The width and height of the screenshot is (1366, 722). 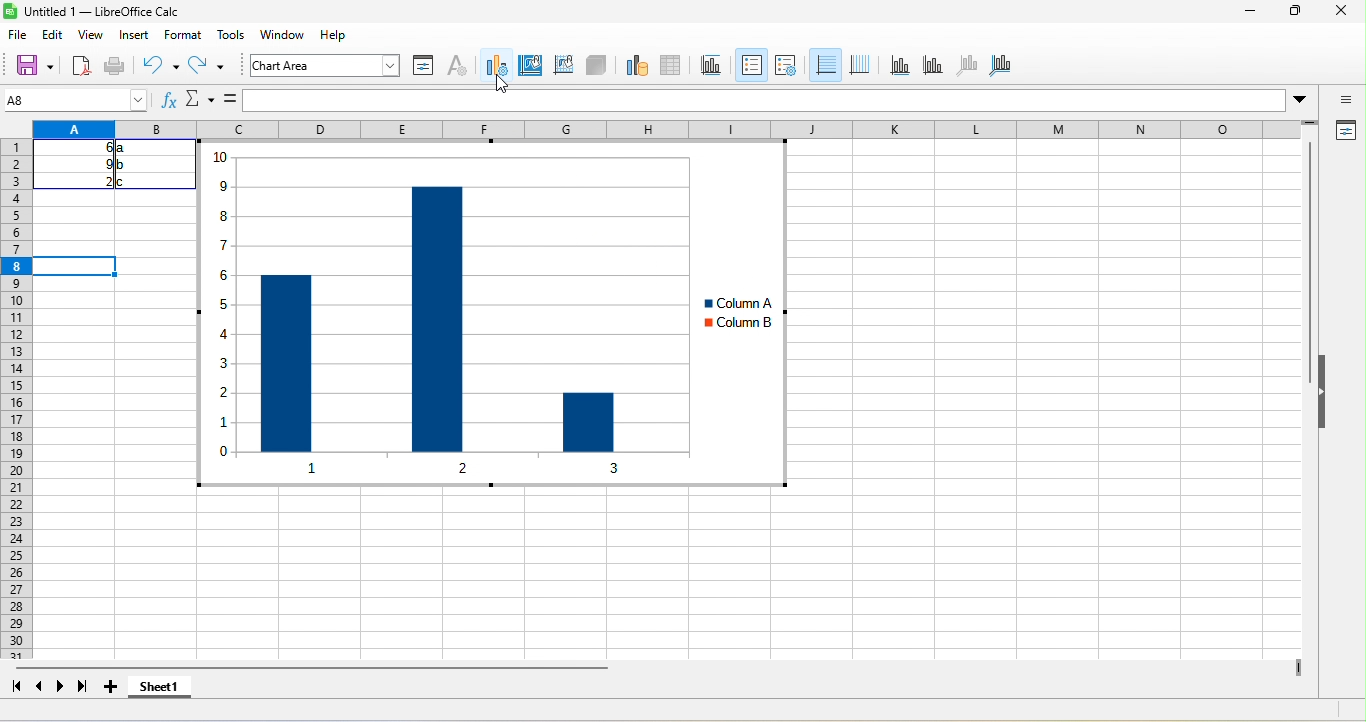 I want to click on formula, so click(x=228, y=100).